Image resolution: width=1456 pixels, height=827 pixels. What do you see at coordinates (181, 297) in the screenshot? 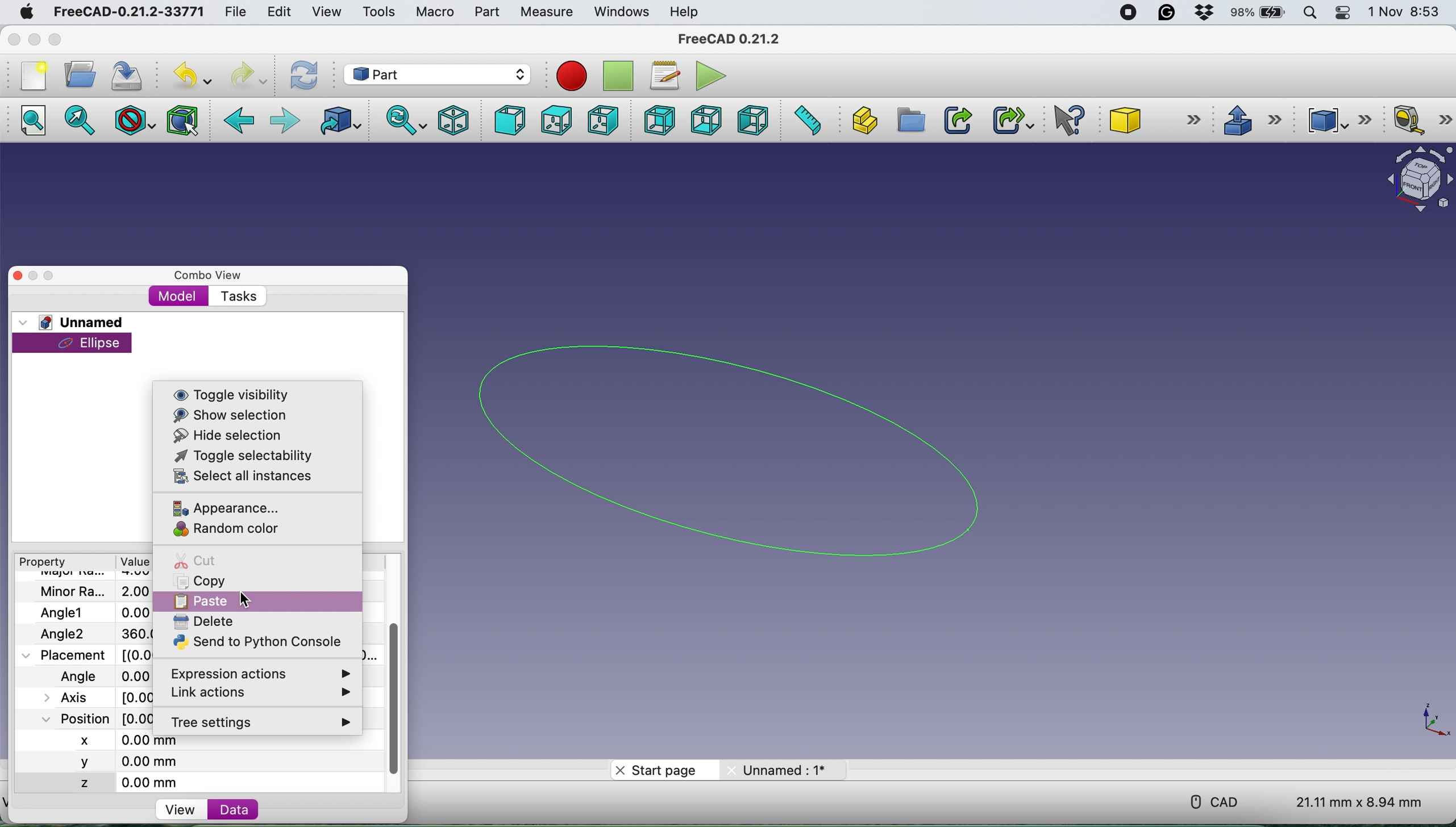
I see `model` at bounding box center [181, 297].